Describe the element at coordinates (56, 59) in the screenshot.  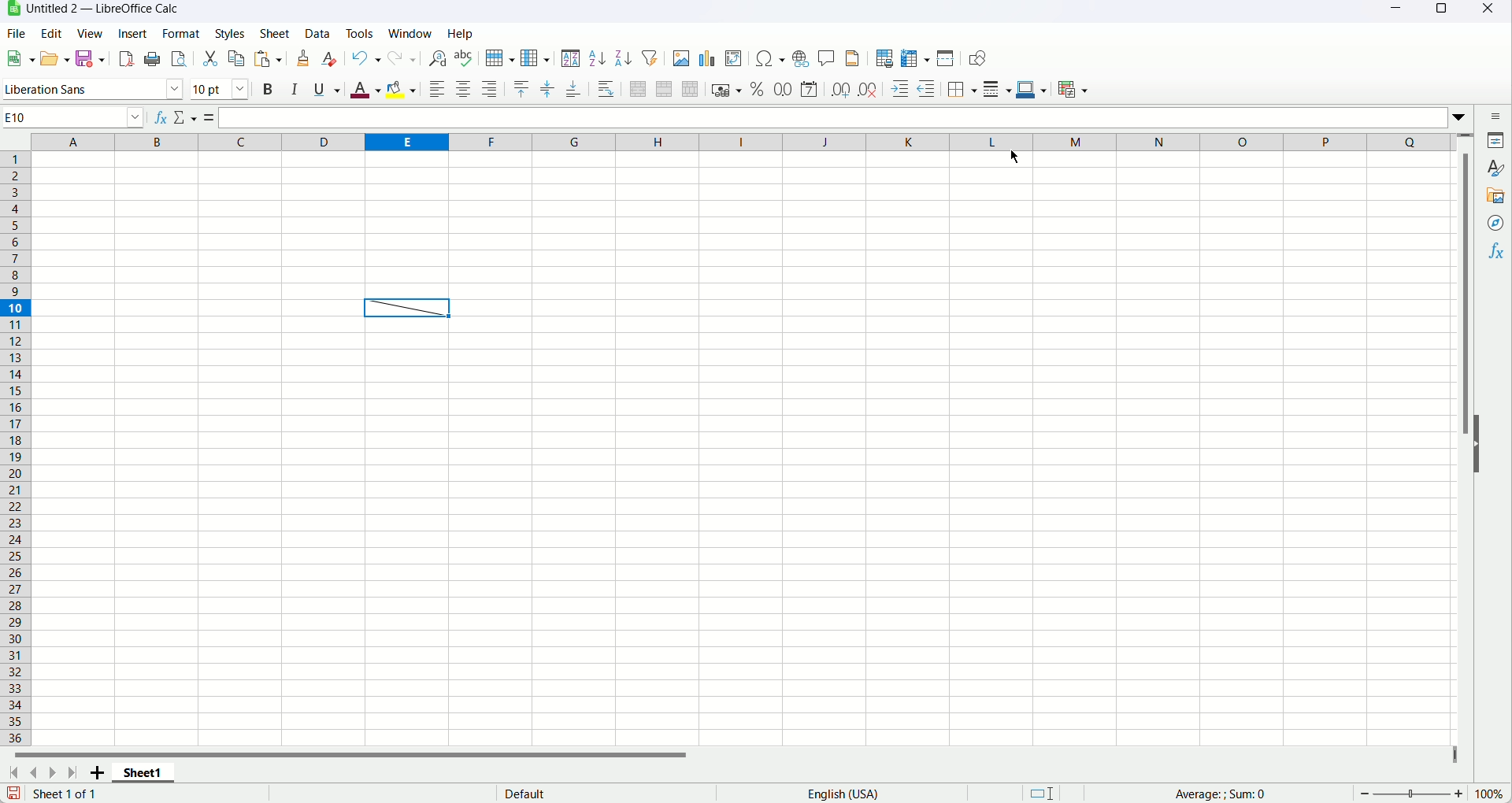
I see `Open` at that location.